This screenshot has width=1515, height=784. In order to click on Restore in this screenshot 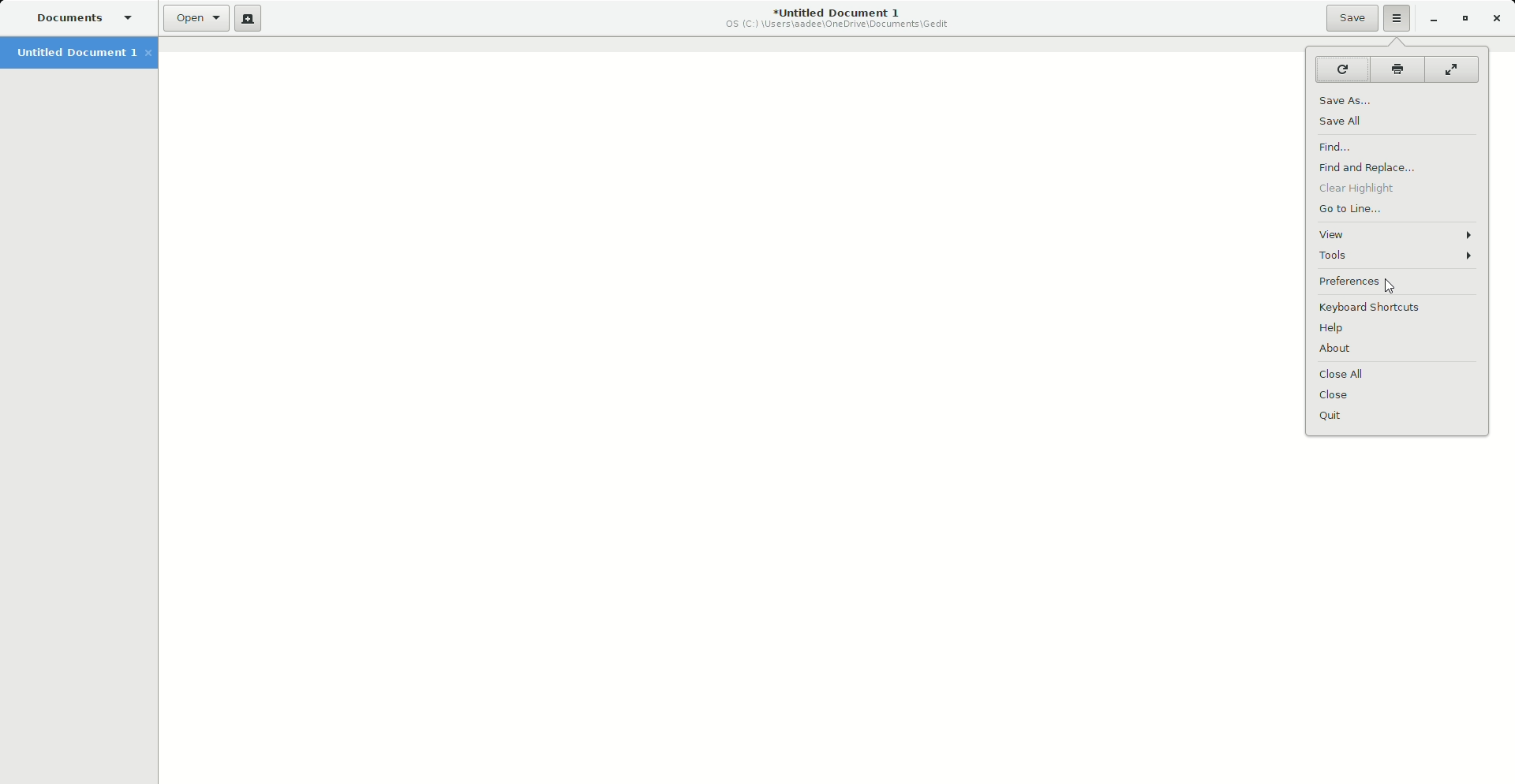, I will do `click(1464, 18)`.